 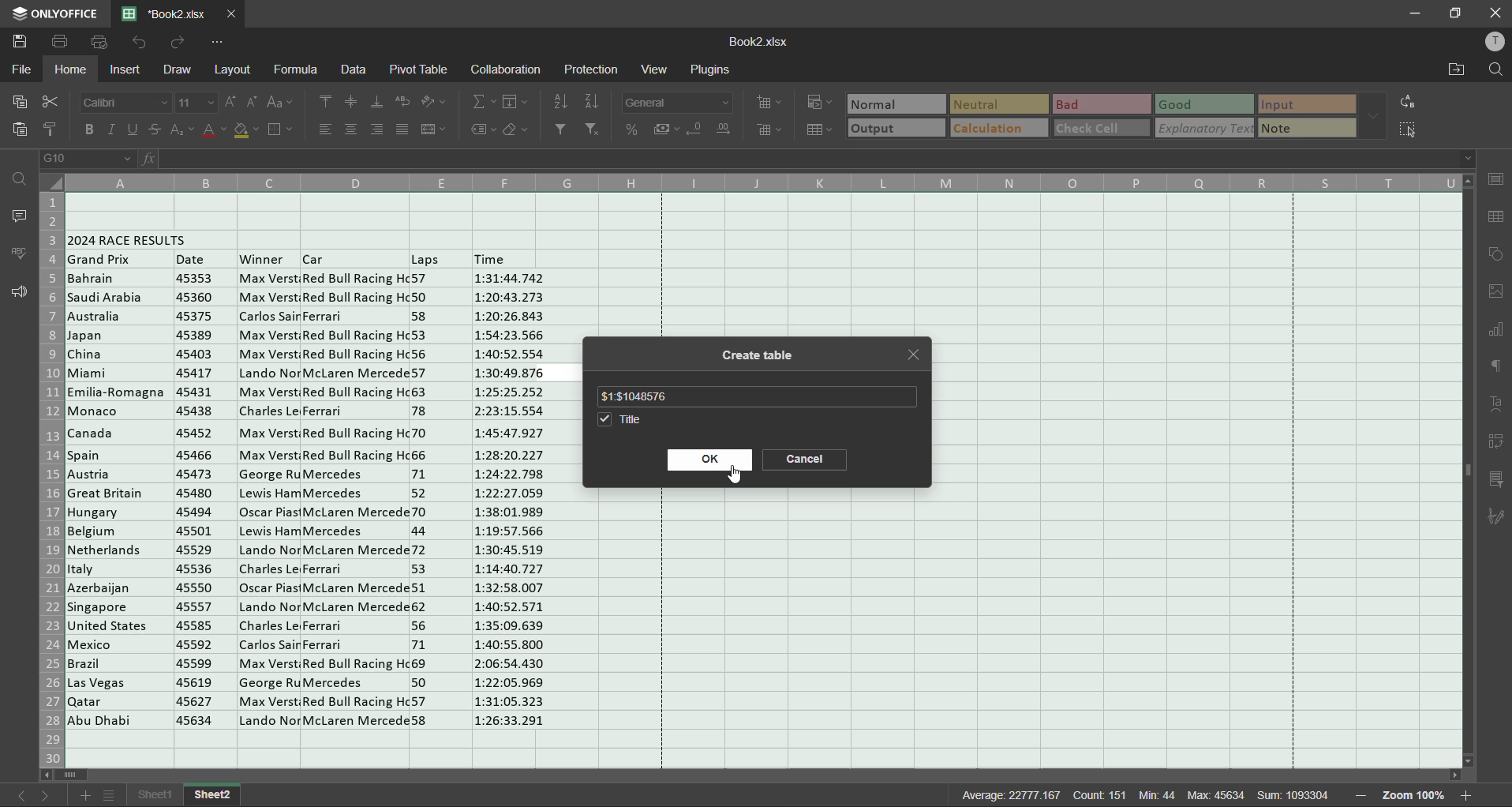 I want to click on home, so click(x=71, y=70).